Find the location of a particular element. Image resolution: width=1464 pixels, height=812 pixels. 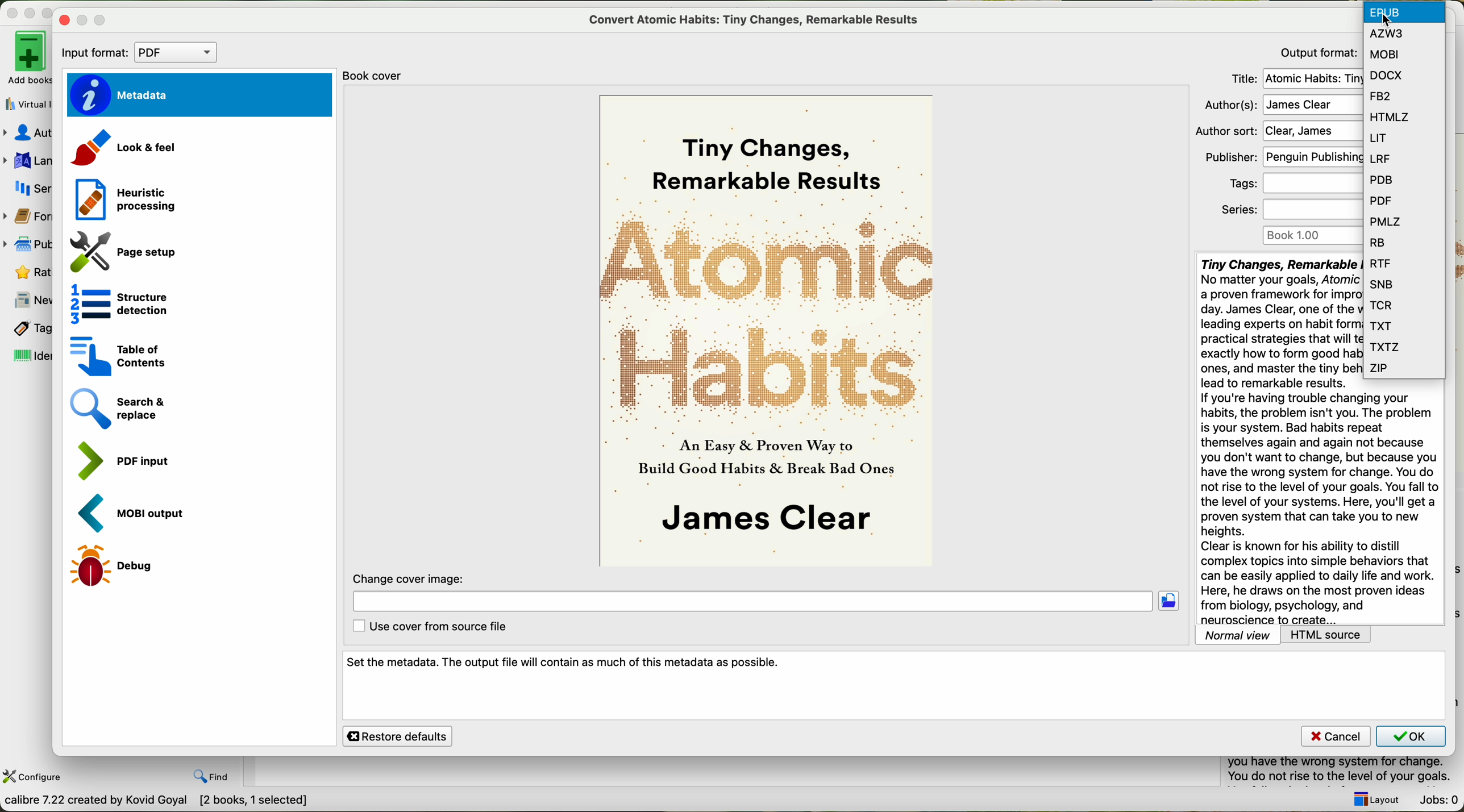

ZIP is located at coordinates (1404, 367).